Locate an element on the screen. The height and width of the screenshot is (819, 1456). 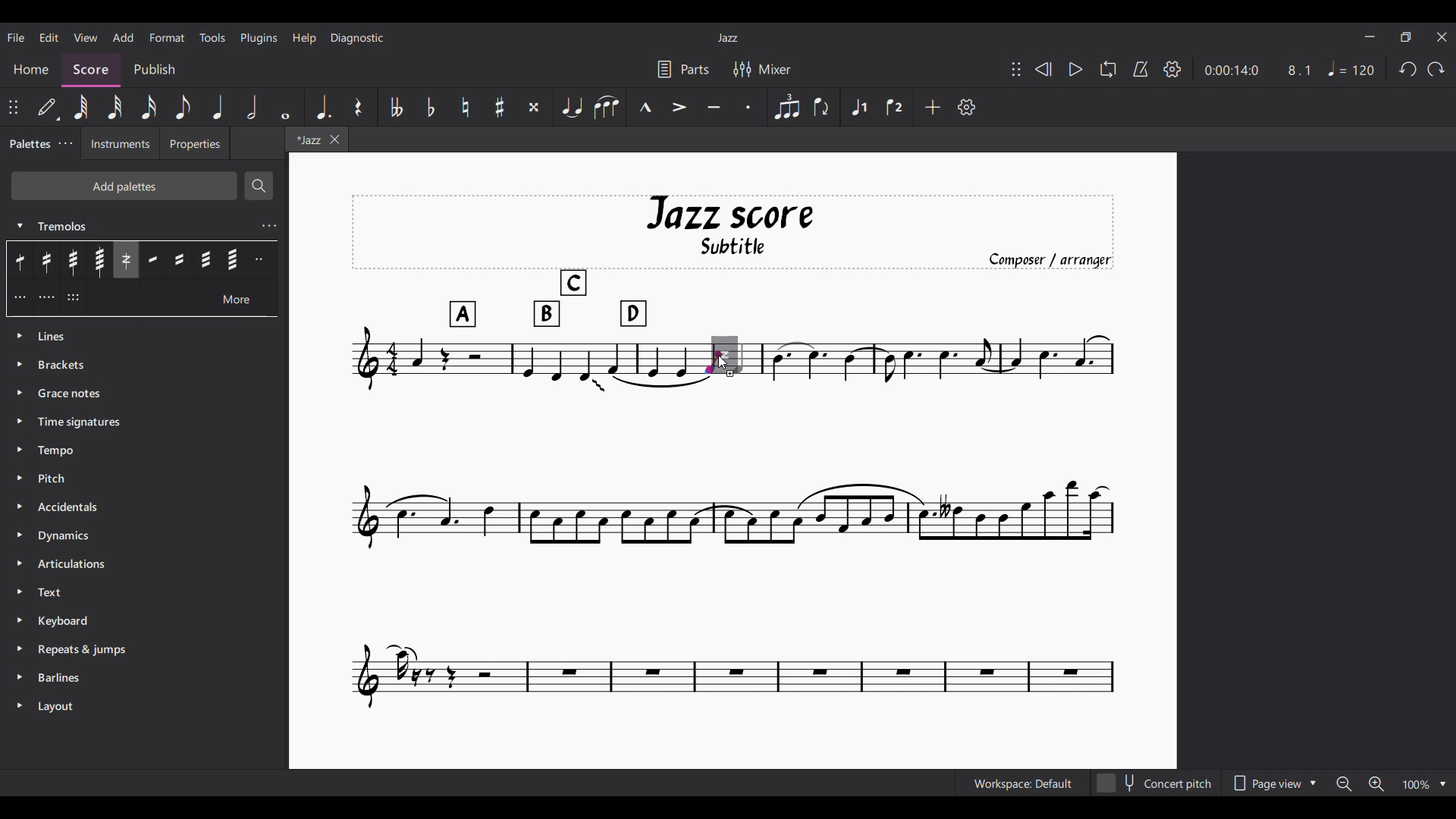
Close interface is located at coordinates (1442, 36).